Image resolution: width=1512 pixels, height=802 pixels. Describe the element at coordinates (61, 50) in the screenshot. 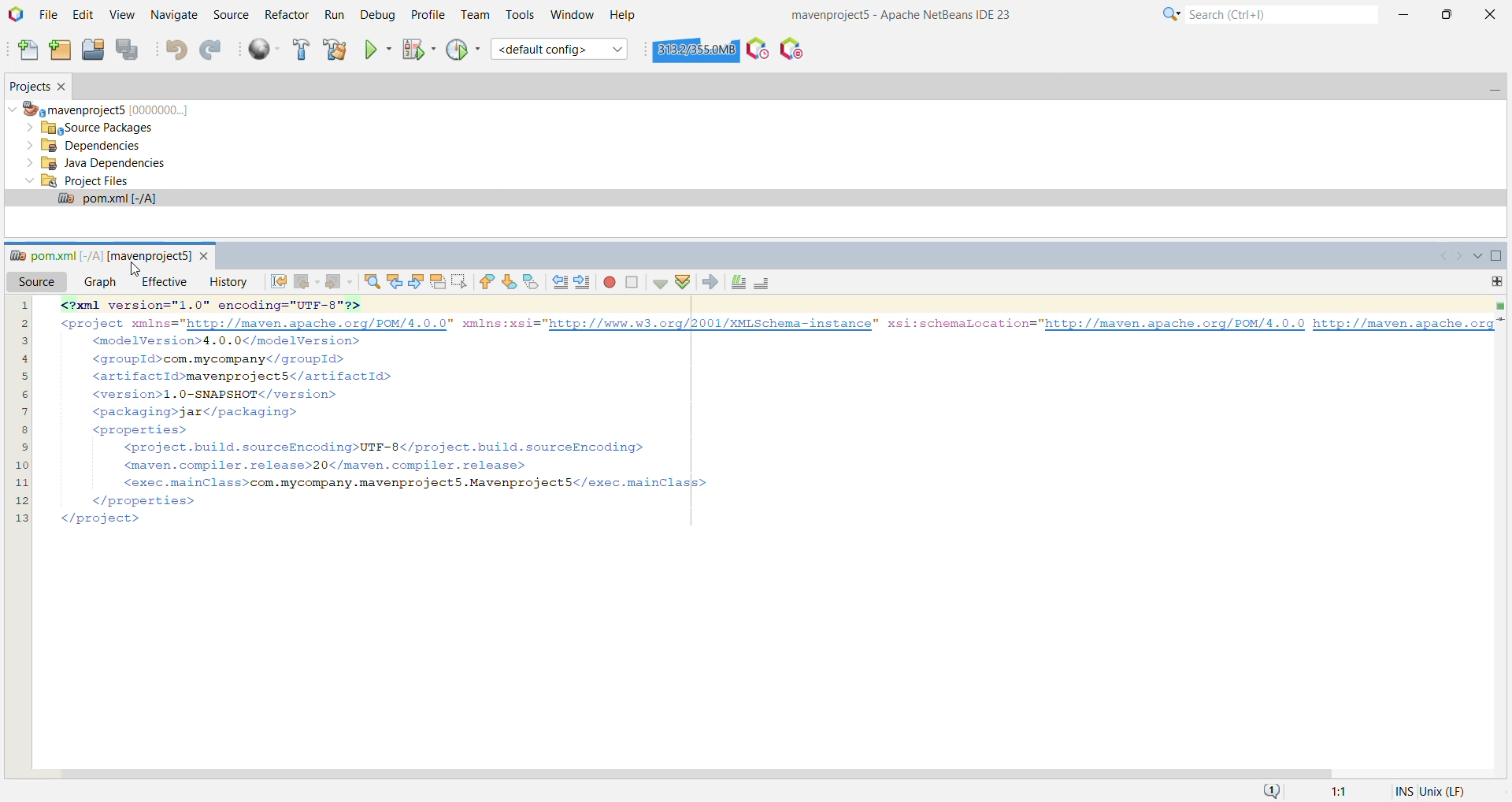

I see `New Project` at that location.